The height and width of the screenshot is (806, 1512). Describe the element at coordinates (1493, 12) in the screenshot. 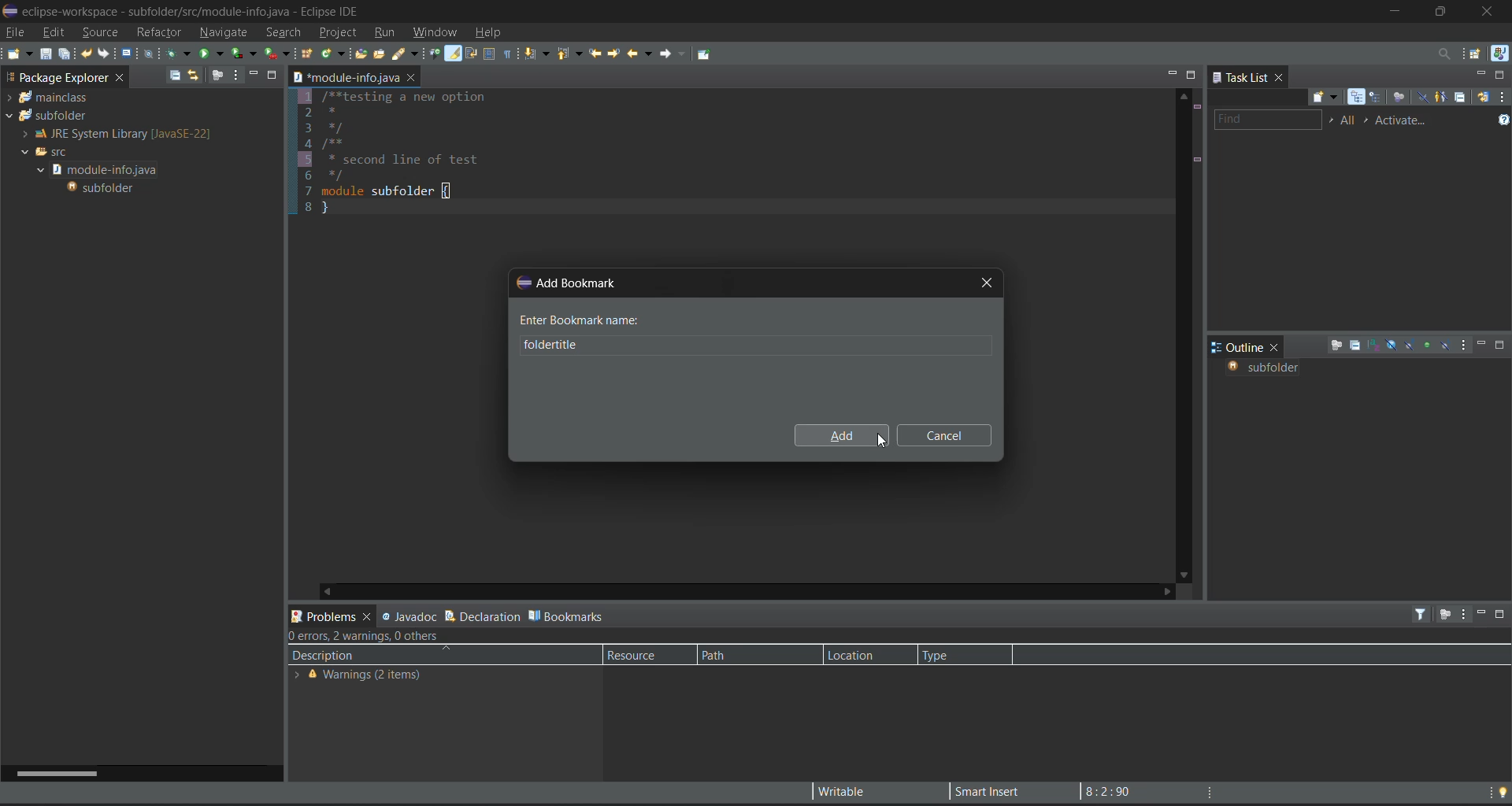

I see `close` at that location.